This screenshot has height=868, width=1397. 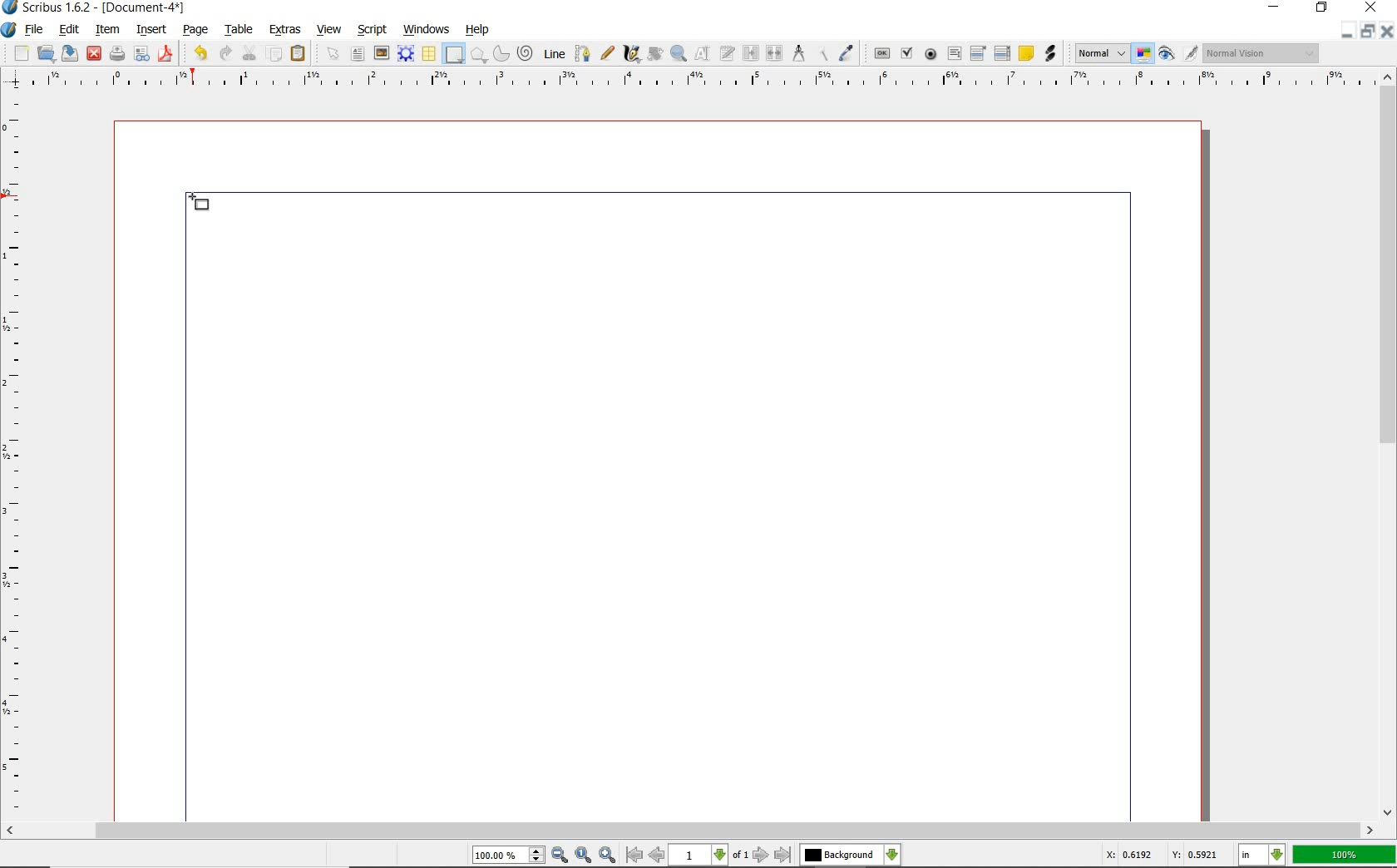 I want to click on undo, so click(x=198, y=53).